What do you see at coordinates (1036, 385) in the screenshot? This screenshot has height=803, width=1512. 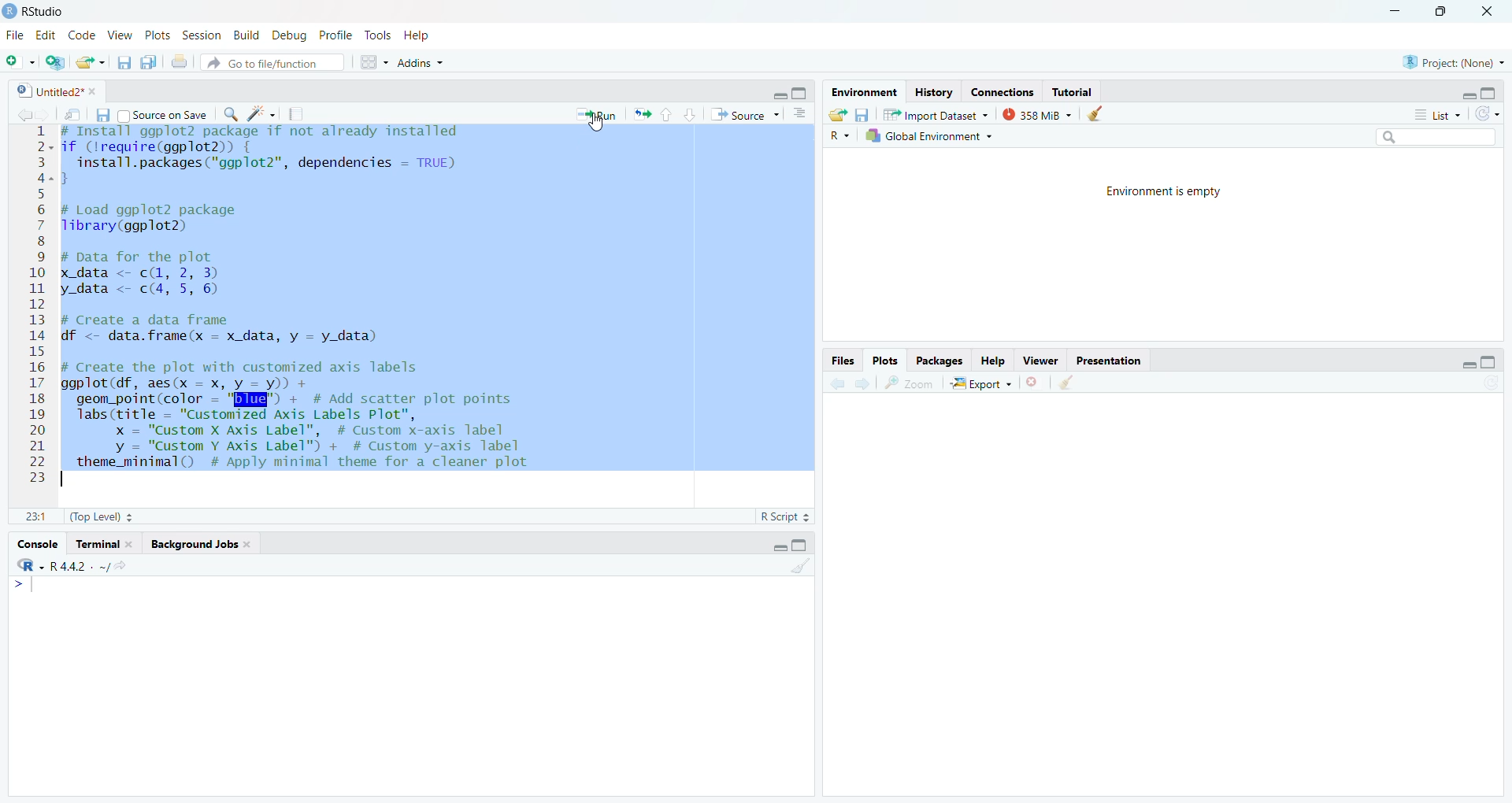 I see `close` at bounding box center [1036, 385].